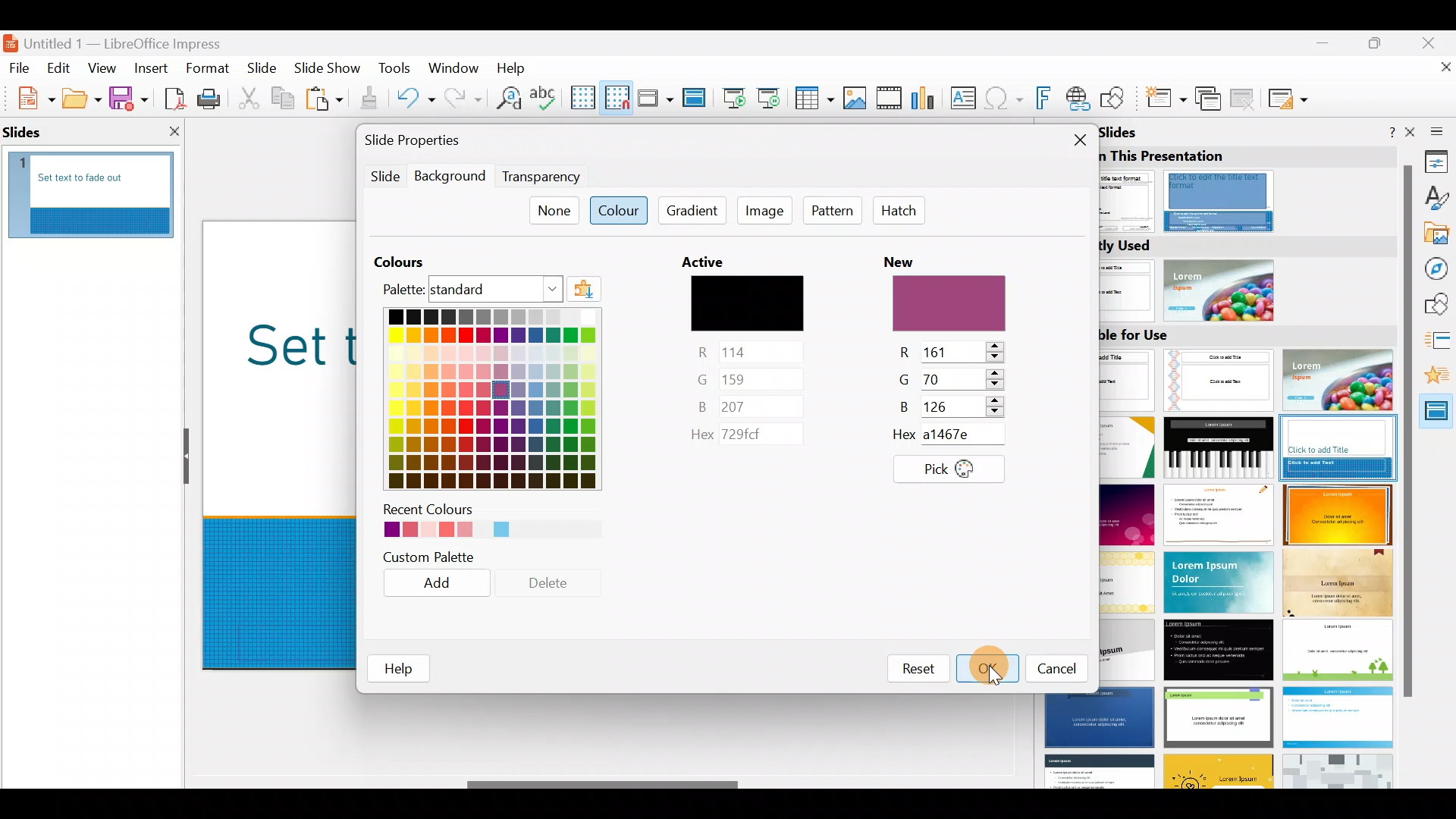  I want to click on File, so click(20, 67).